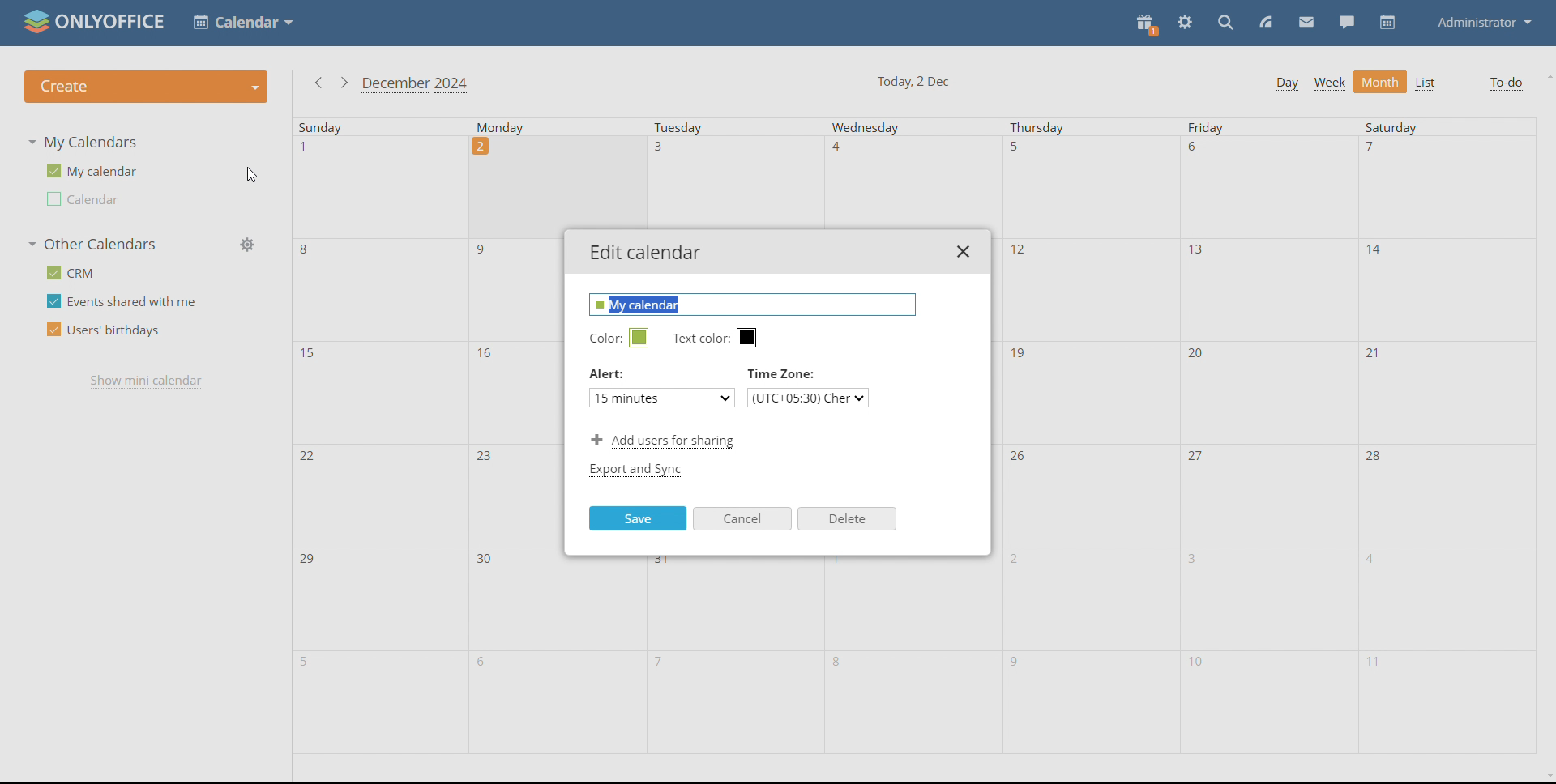 This screenshot has height=784, width=1556. I want to click on sunday, so click(364, 127).